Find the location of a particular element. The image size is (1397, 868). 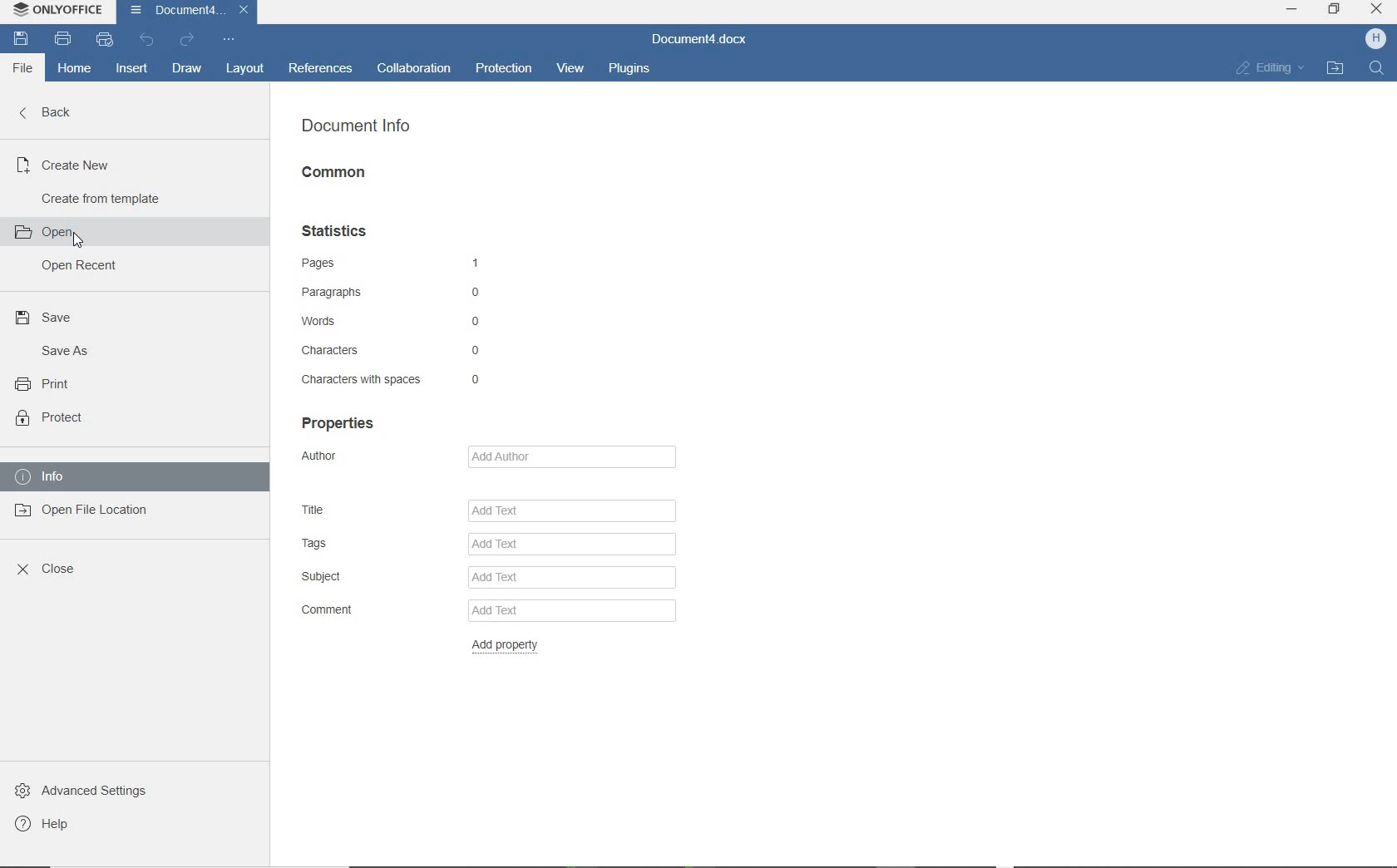

characters with space - 0 is located at coordinates (392, 381).